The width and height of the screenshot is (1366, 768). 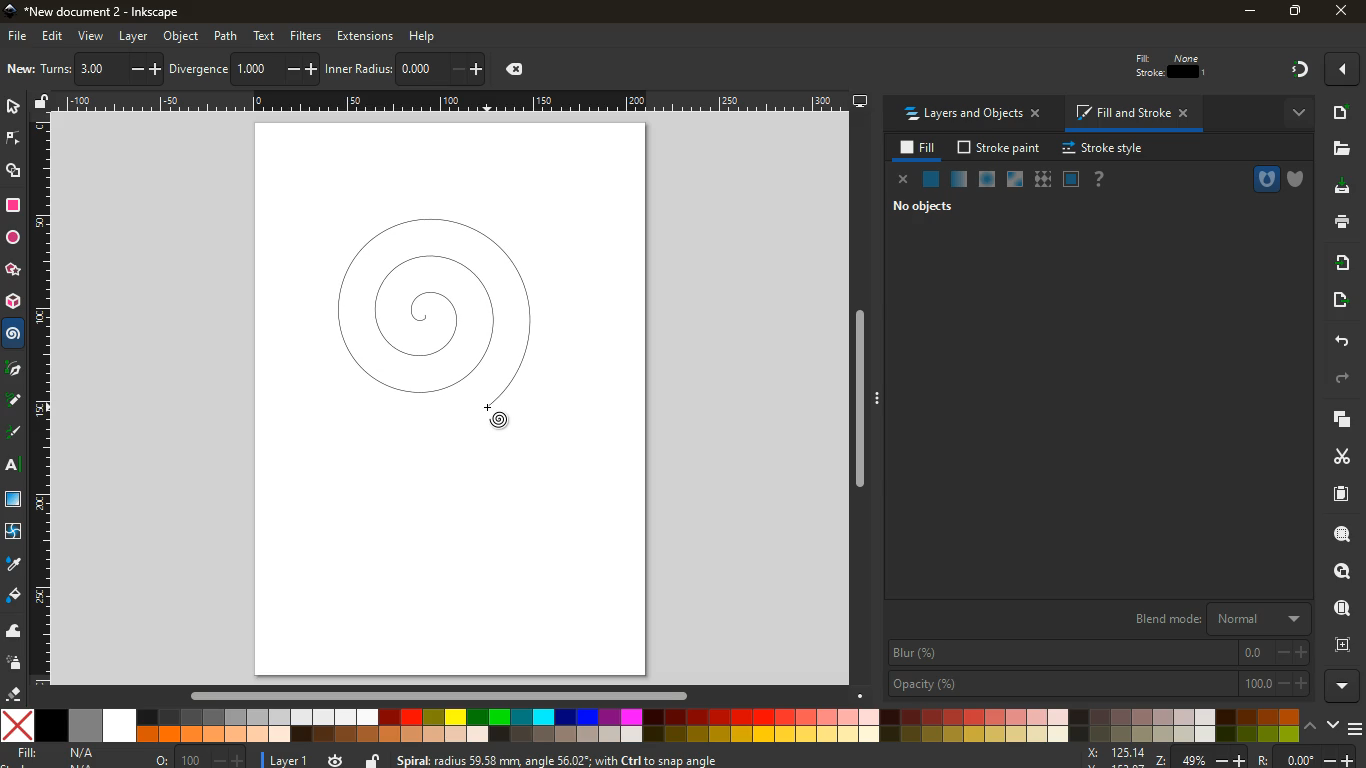 I want to click on hole, so click(x=1257, y=179).